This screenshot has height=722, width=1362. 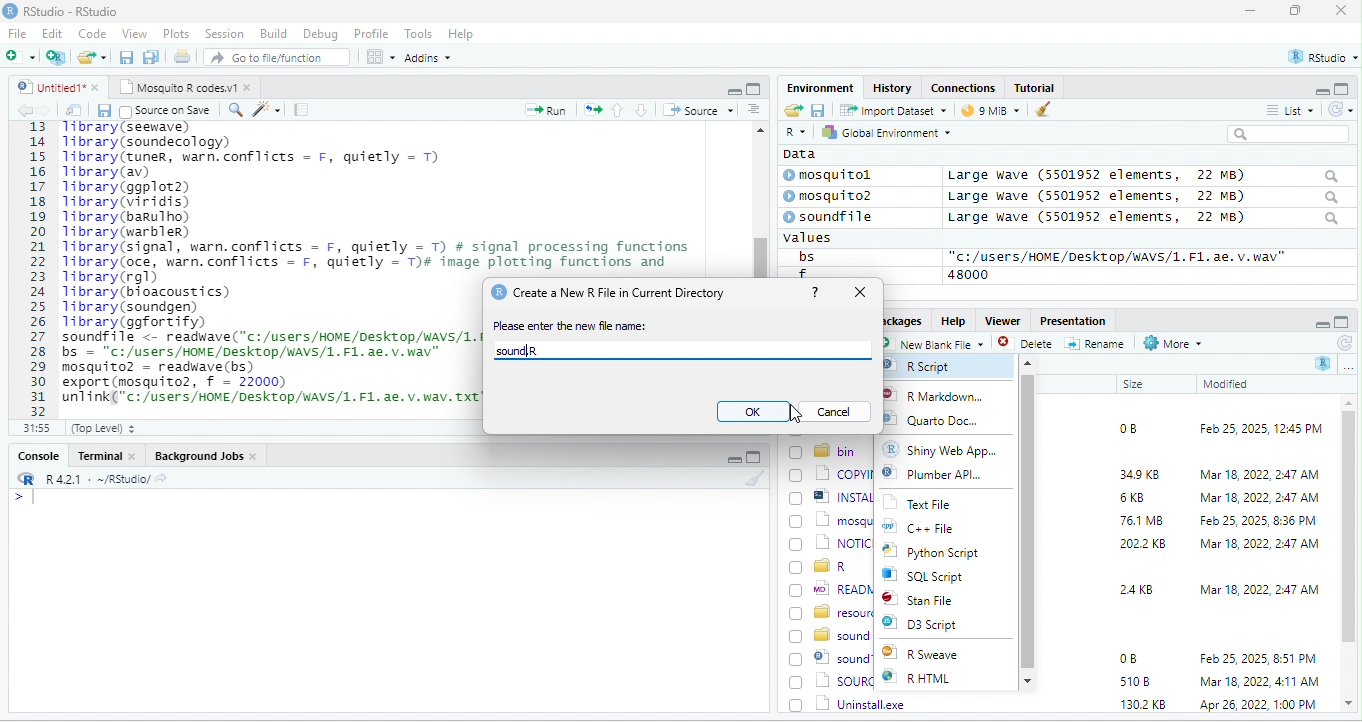 What do you see at coordinates (64, 10) in the screenshot?
I see `RStudio` at bounding box center [64, 10].